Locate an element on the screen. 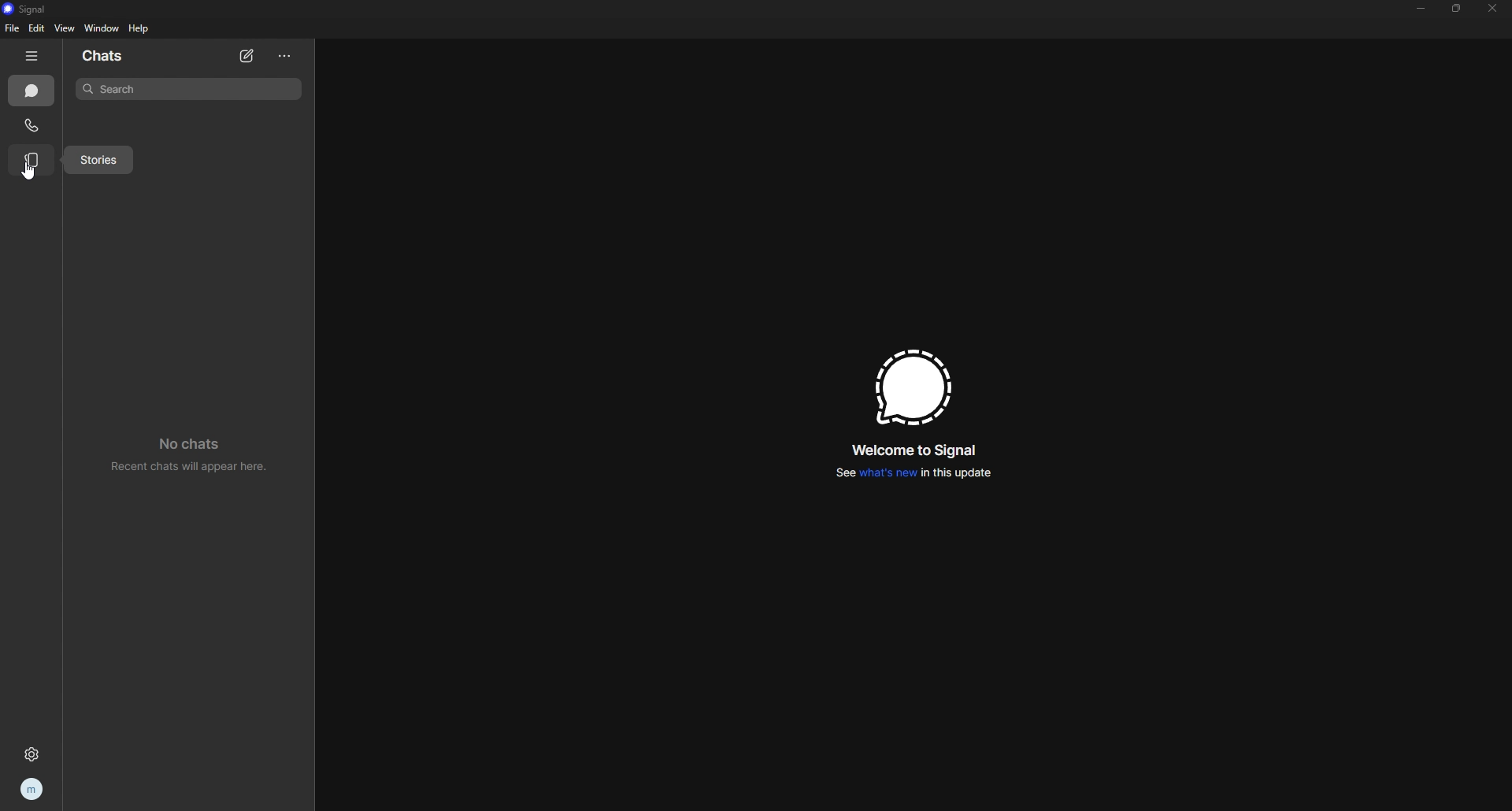 This screenshot has height=811, width=1512. welcome is located at coordinates (914, 451).